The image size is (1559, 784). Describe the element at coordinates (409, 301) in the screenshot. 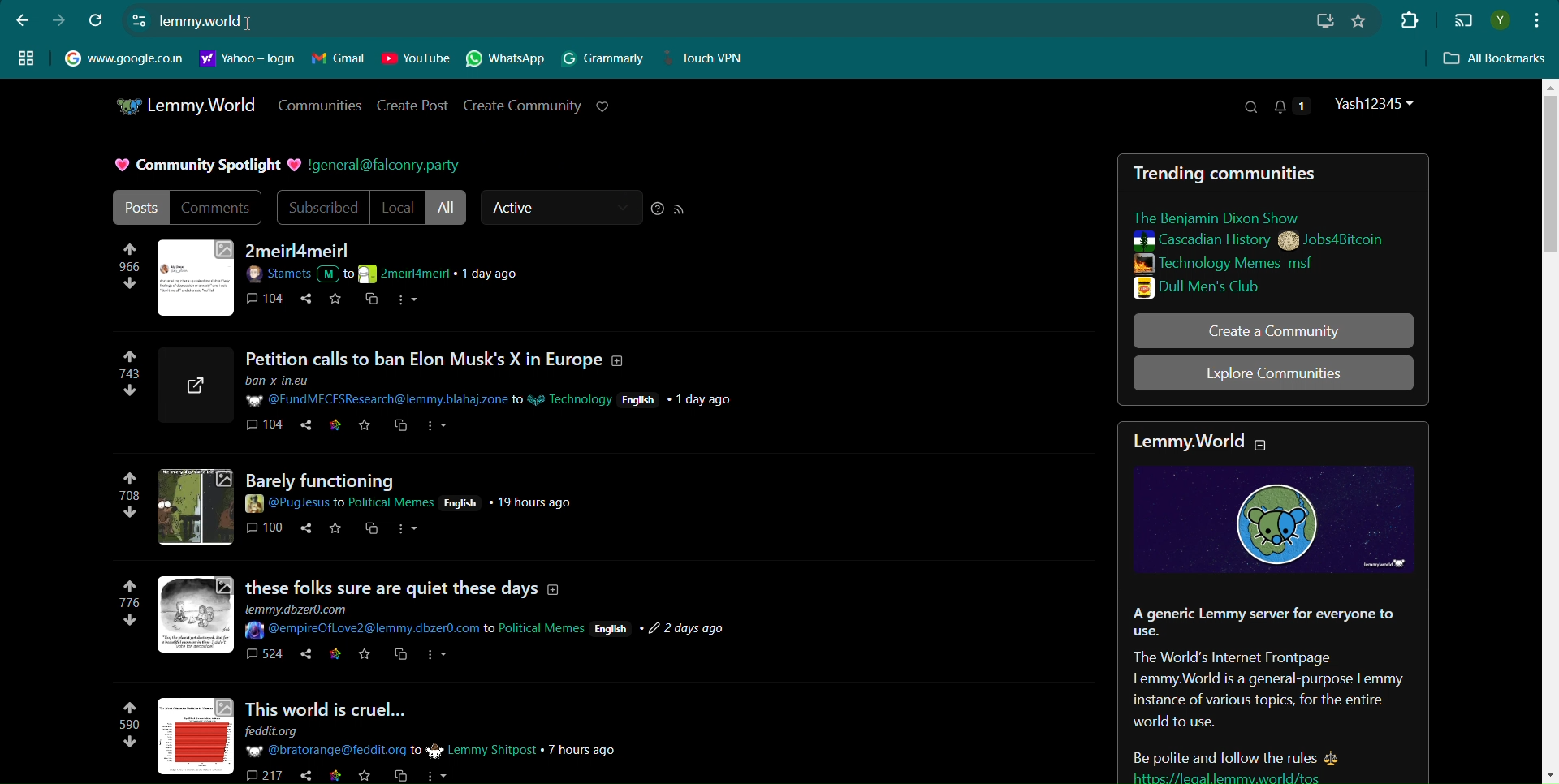

I see `More` at that location.